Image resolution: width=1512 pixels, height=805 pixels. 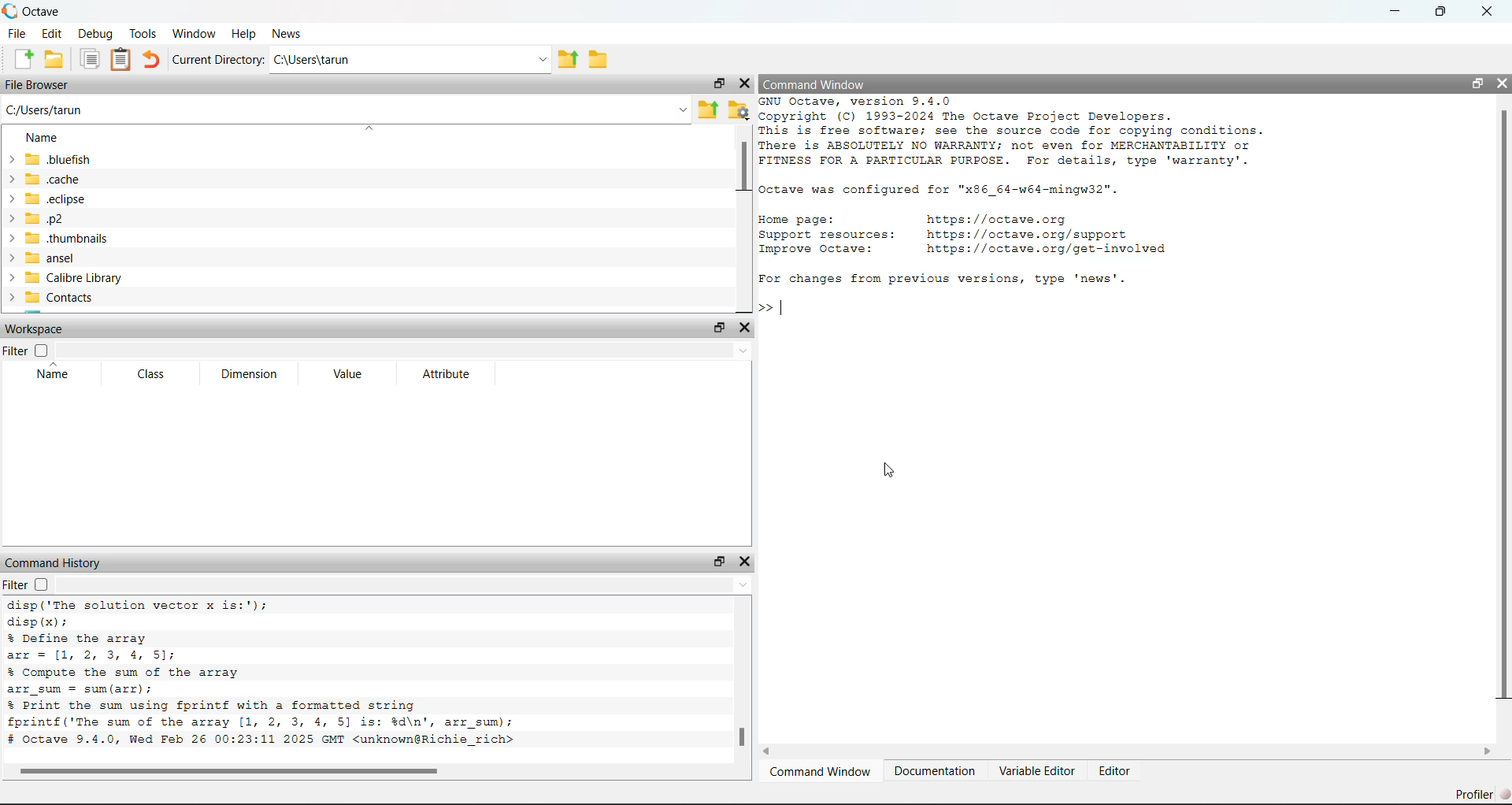 I want to click on News, so click(x=287, y=32).